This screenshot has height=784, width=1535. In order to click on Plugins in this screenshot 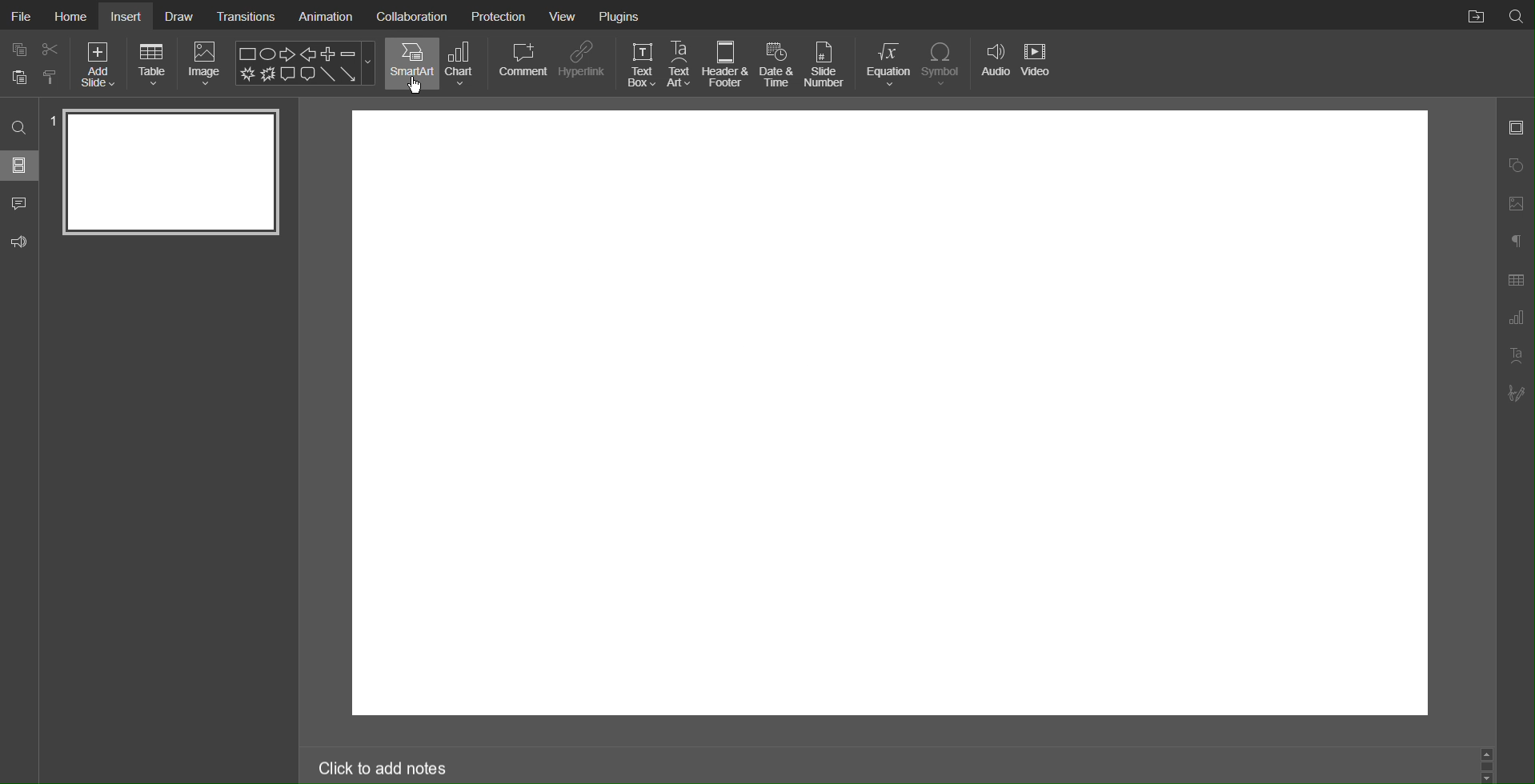, I will do `click(622, 16)`.